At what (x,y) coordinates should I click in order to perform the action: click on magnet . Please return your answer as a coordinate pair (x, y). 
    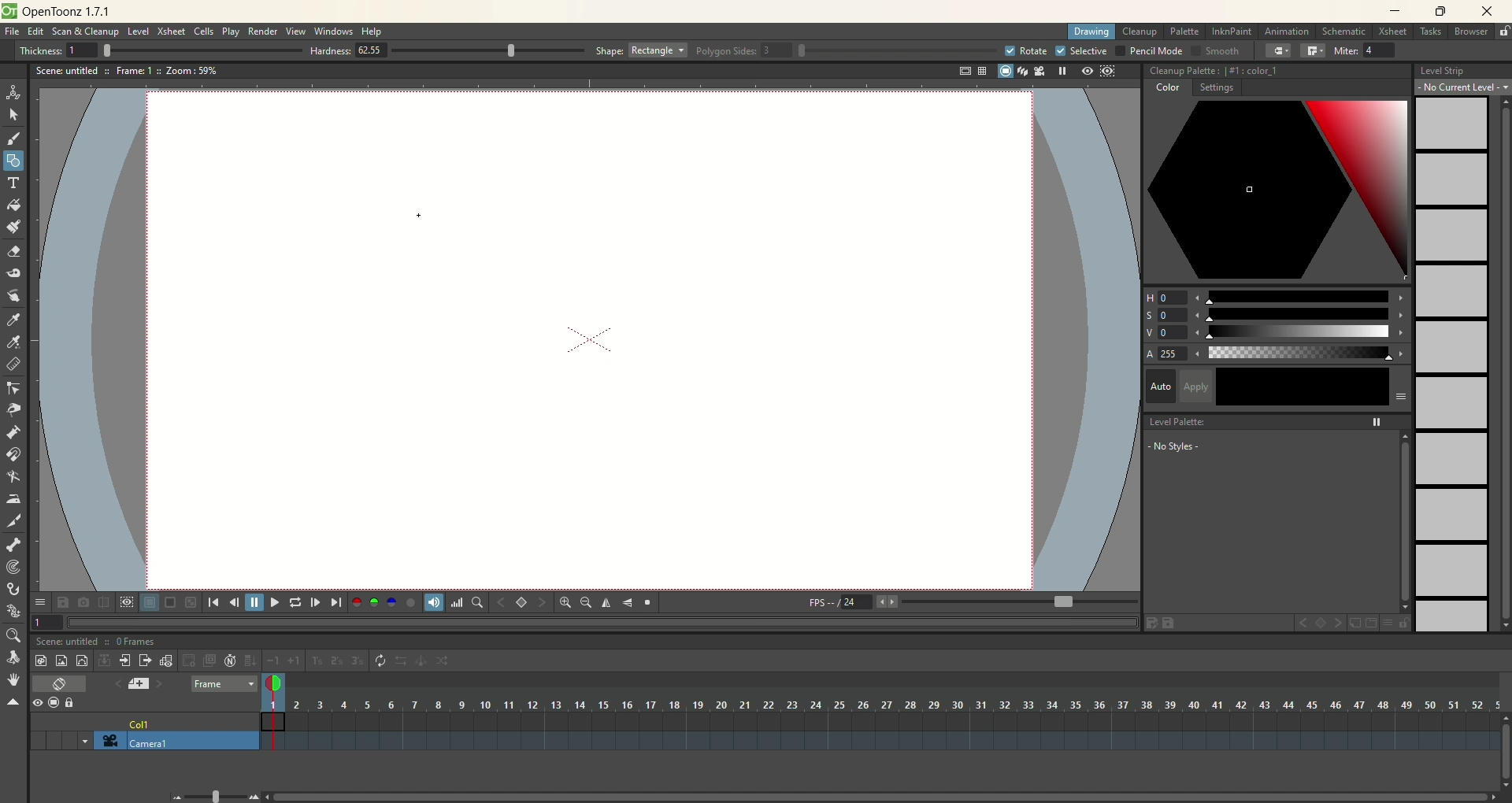
    Looking at the image, I should click on (14, 453).